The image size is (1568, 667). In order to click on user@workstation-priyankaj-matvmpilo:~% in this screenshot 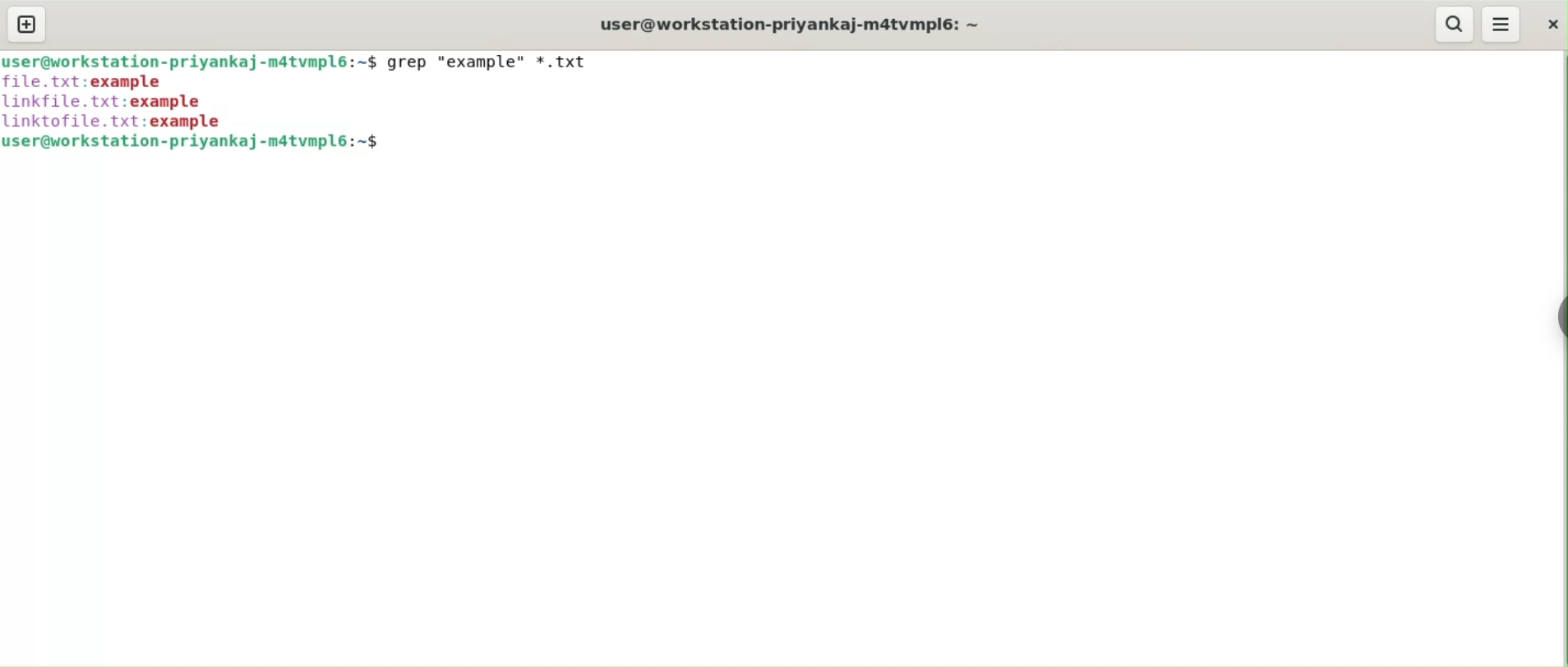, I will do `click(207, 144)`.